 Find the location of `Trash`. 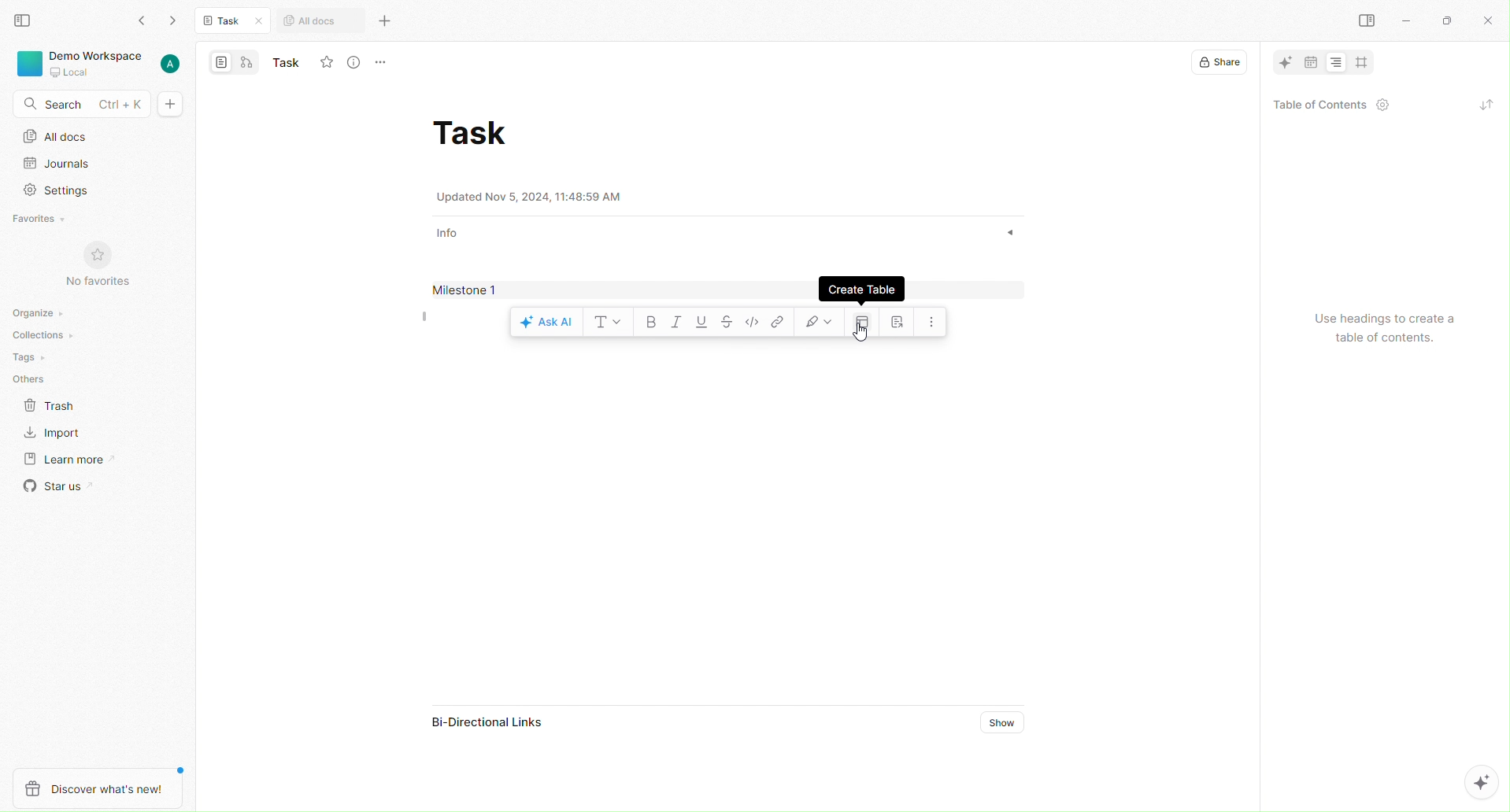

Trash is located at coordinates (49, 408).